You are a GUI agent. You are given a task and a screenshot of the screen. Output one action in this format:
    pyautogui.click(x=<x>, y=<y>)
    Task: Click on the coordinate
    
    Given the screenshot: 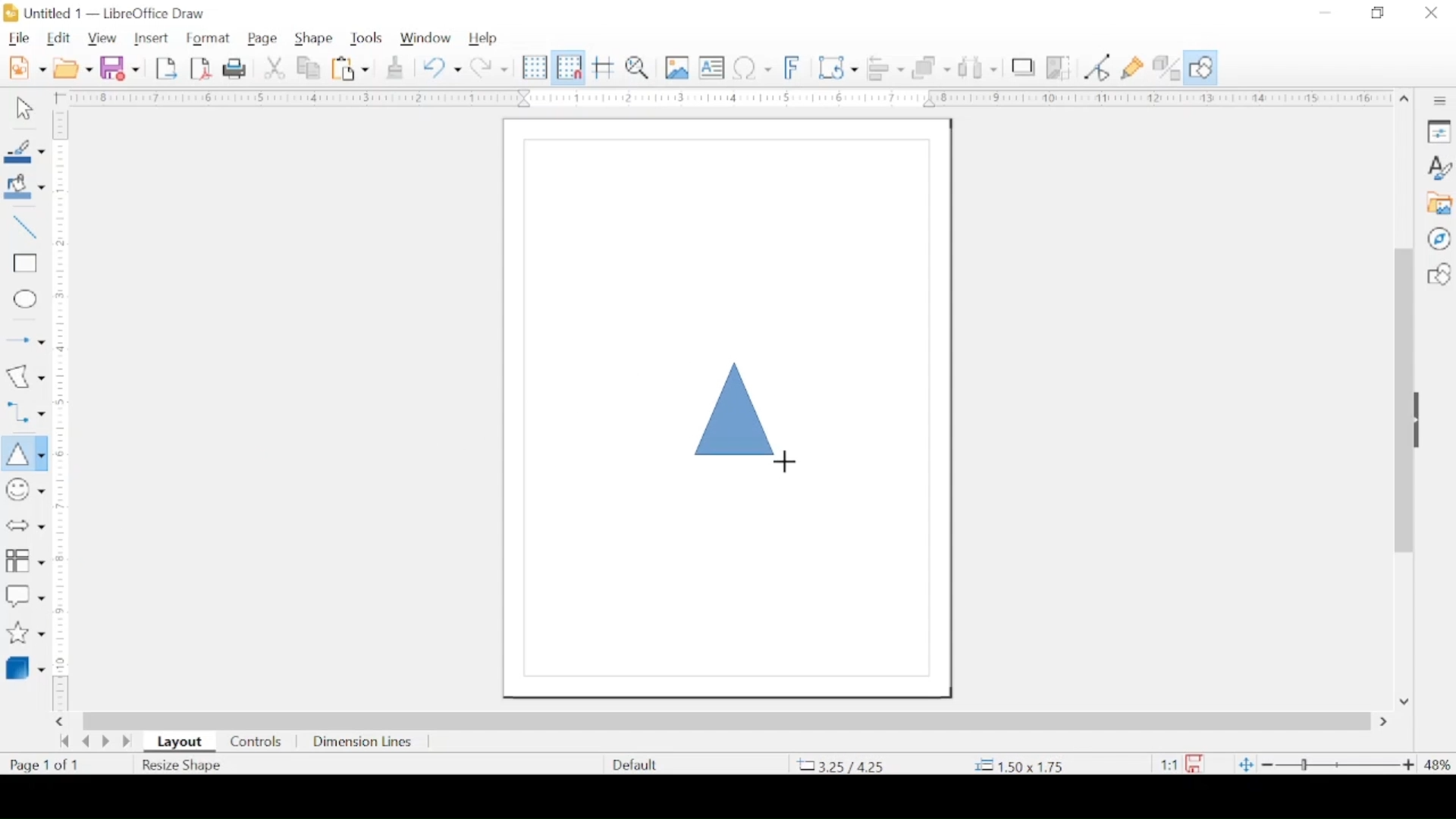 What is the action you would take?
    pyautogui.click(x=1019, y=765)
    